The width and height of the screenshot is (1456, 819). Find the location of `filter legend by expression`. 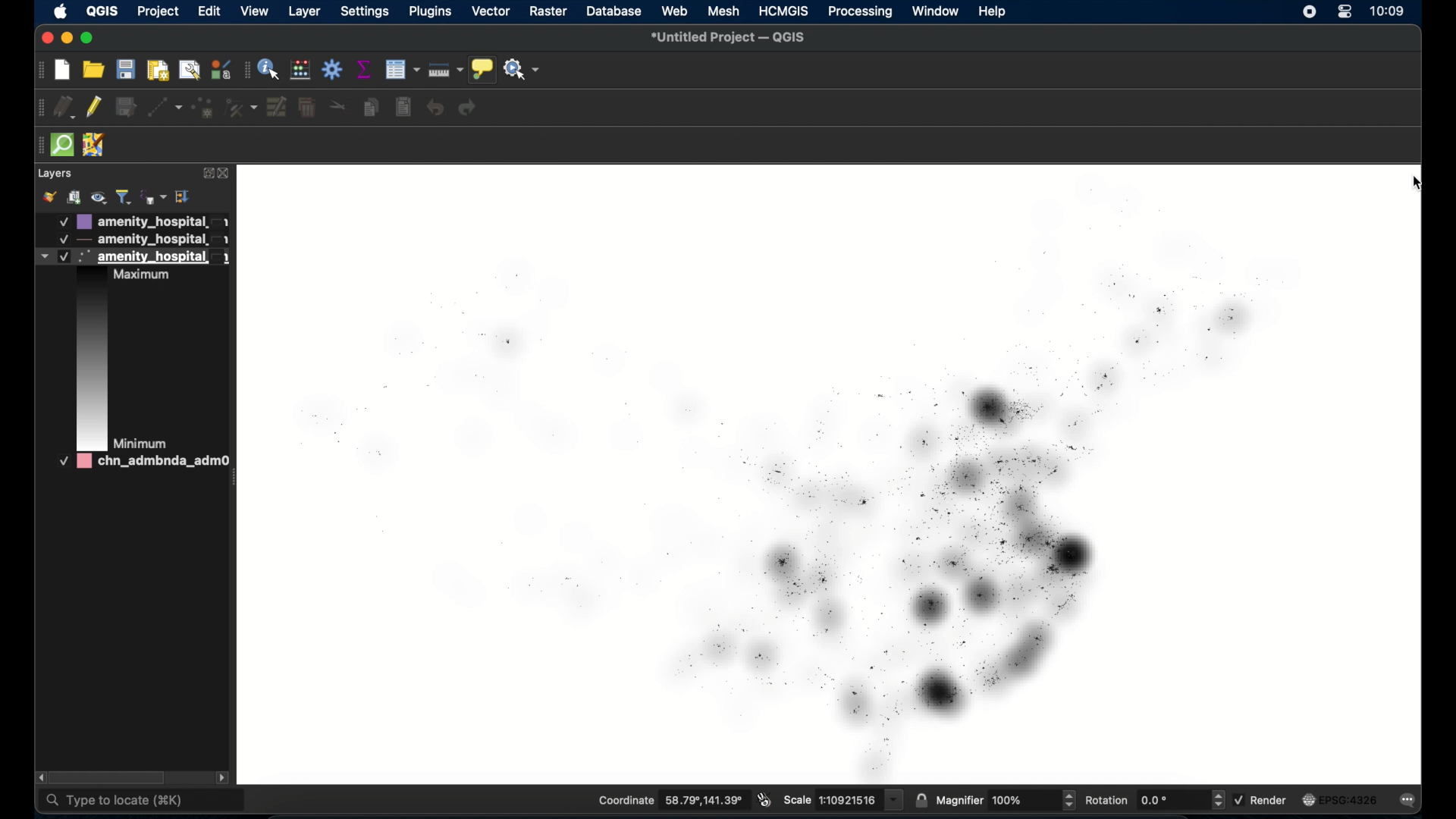

filter legend by expression is located at coordinates (152, 197).